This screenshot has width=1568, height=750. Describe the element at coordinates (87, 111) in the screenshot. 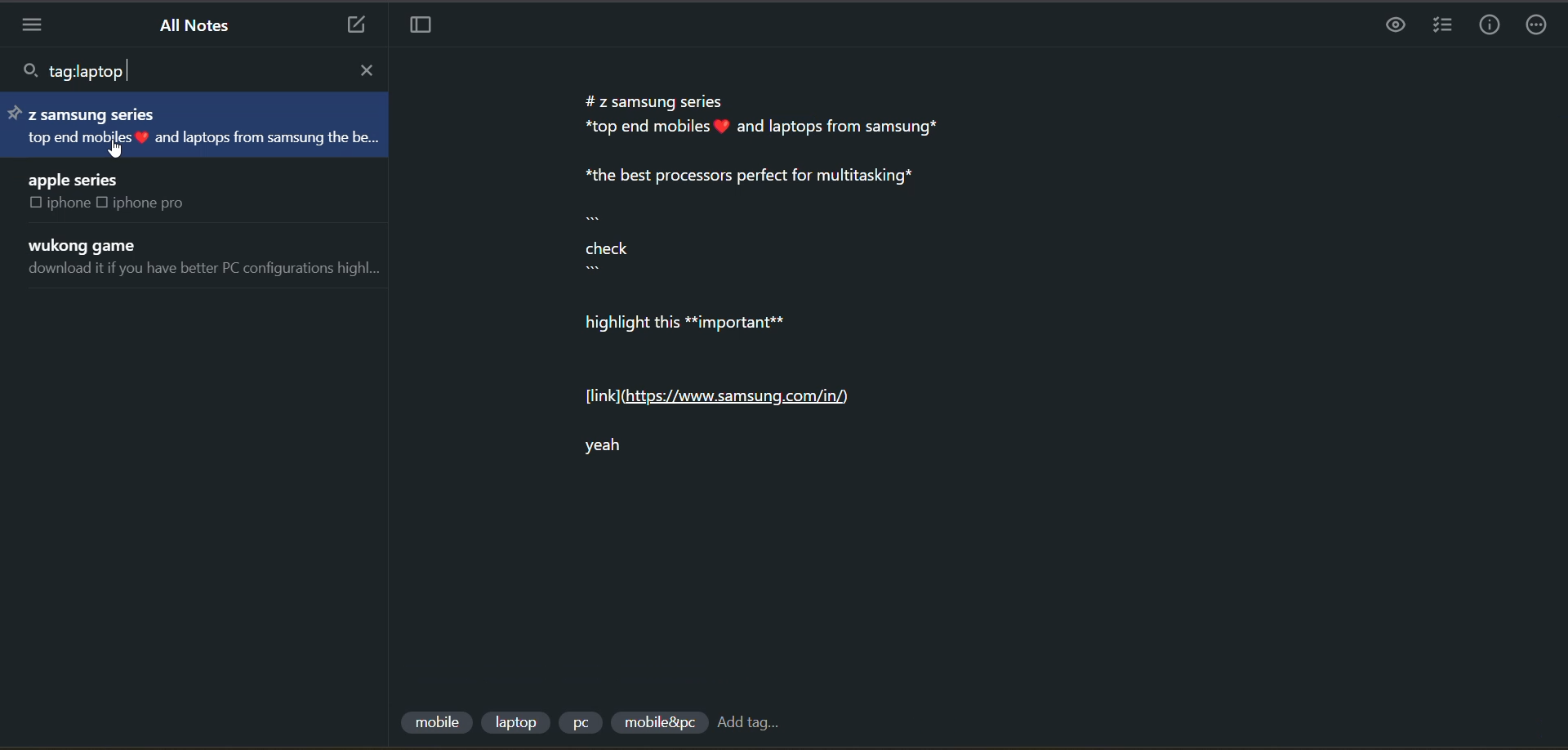

I see `z samsung series` at that location.